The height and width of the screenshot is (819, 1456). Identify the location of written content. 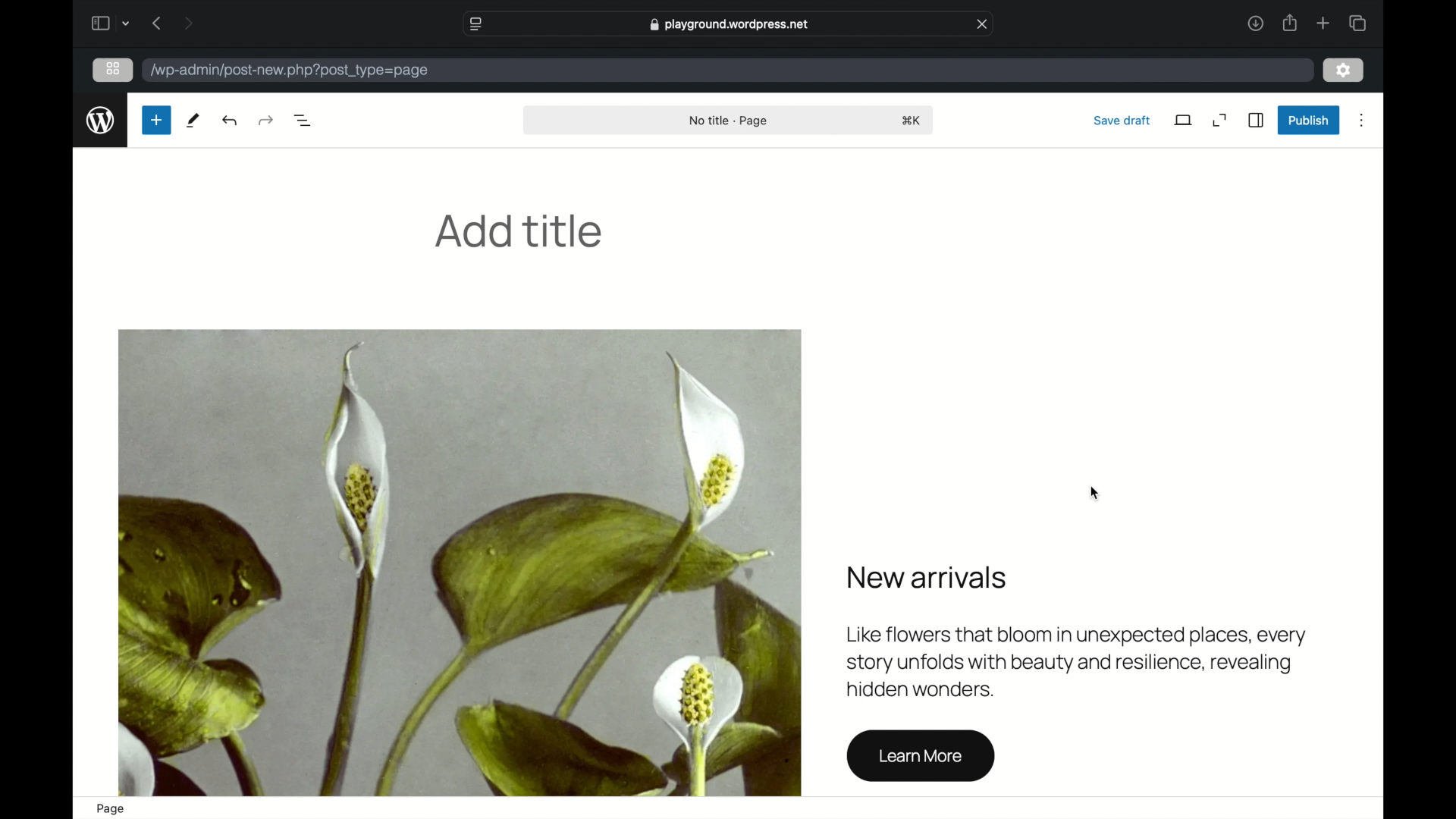
(1077, 630).